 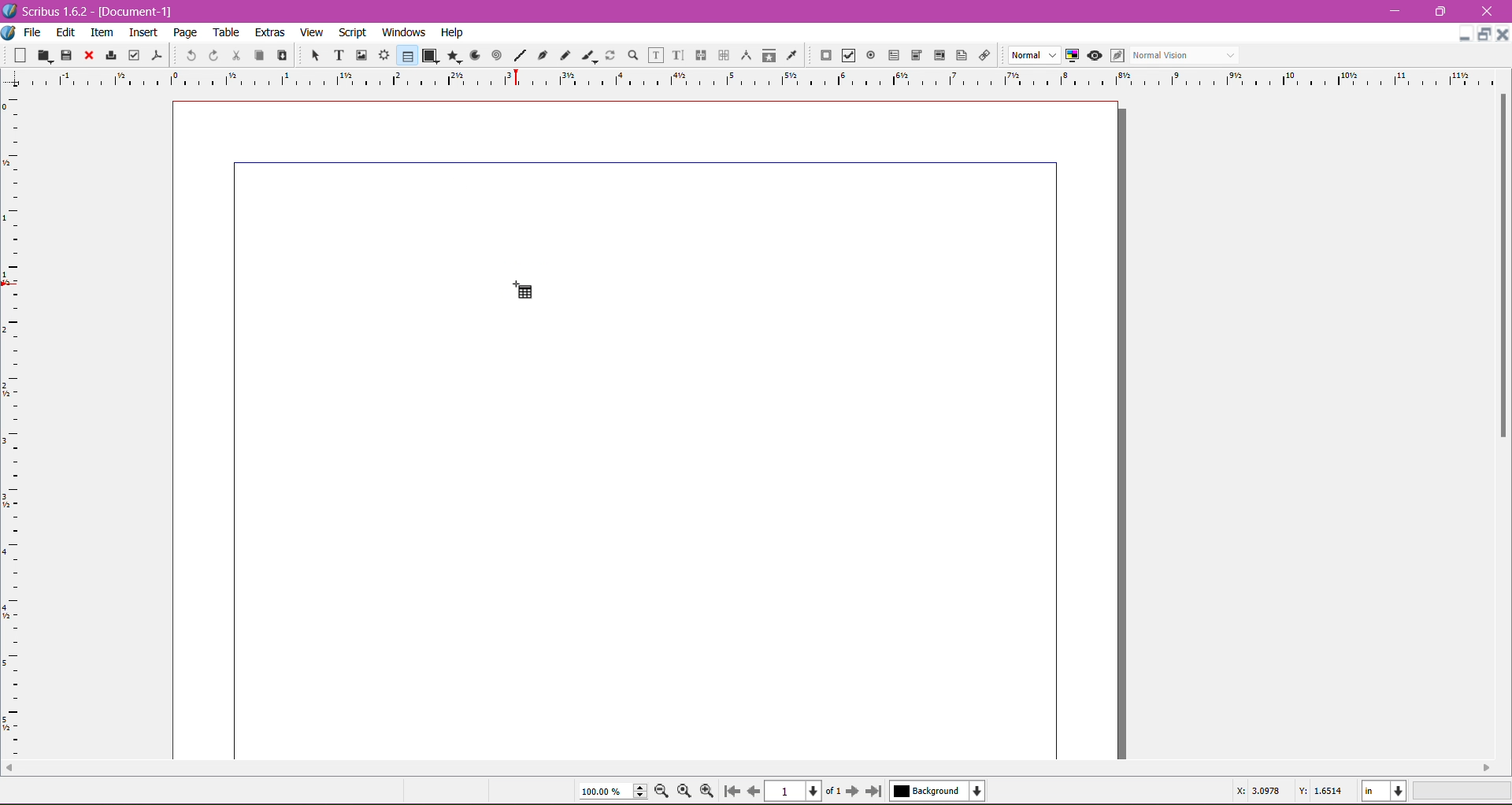 What do you see at coordinates (384, 55) in the screenshot?
I see `Render Frame` at bounding box center [384, 55].